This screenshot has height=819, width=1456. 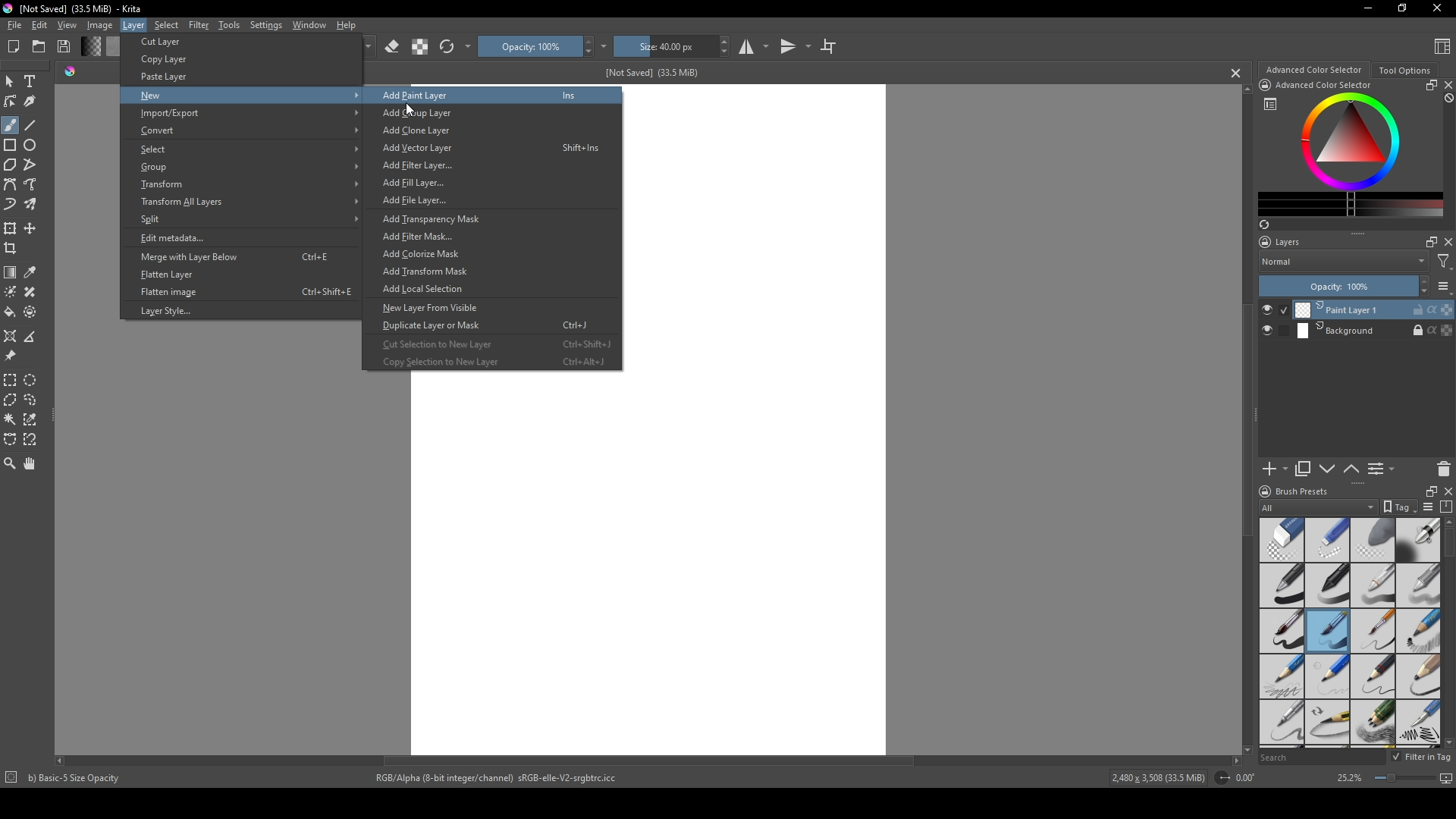 I want to click on increase, so click(x=1423, y=281).